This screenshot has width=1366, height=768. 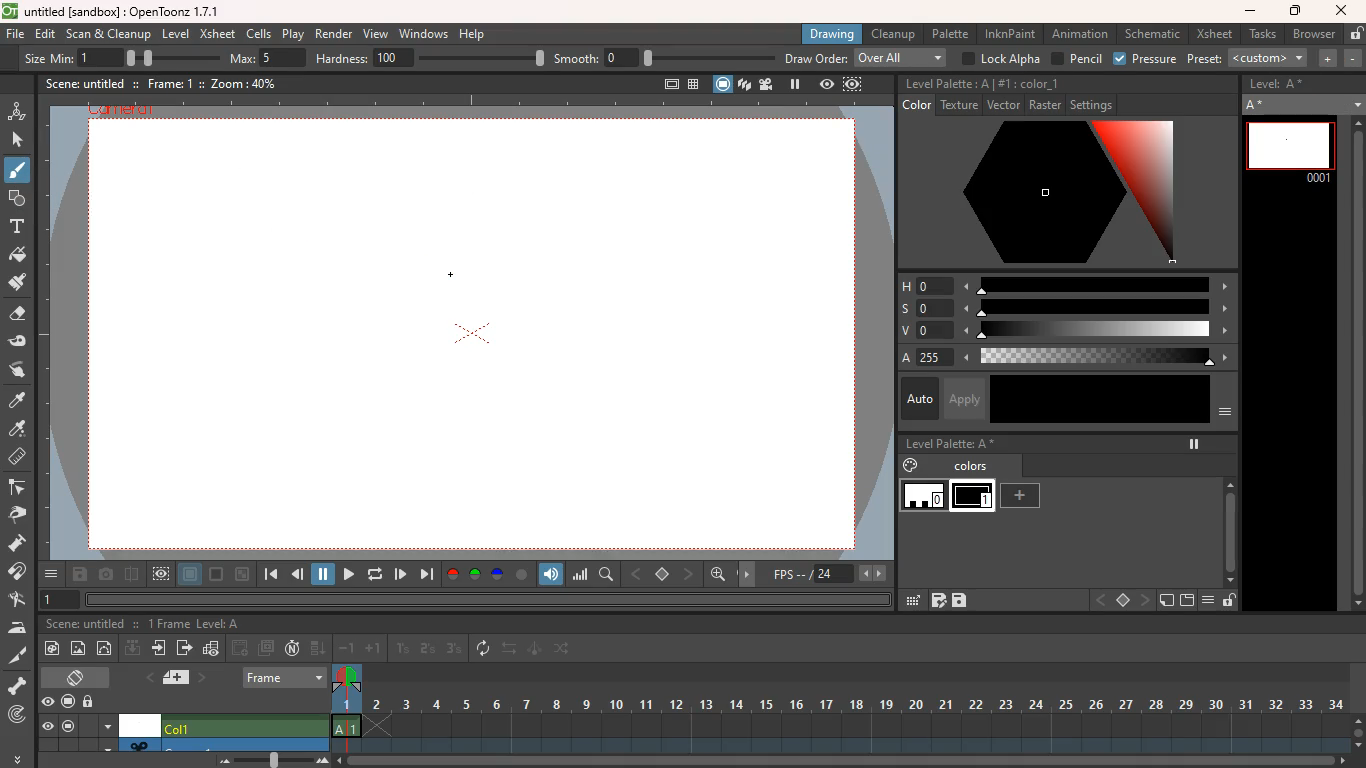 I want to click on menu, so click(x=1212, y=601).